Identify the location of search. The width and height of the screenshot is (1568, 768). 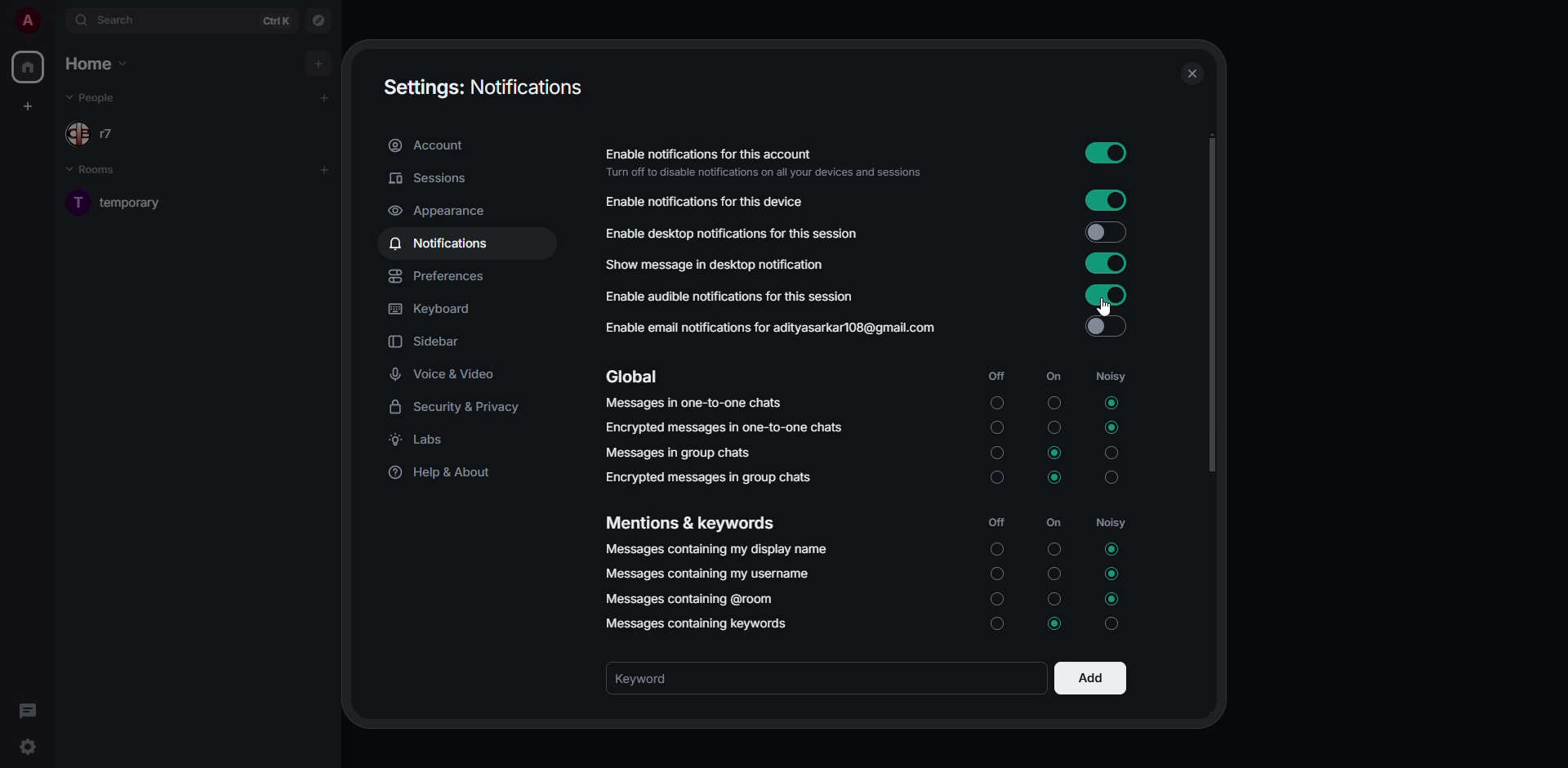
(111, 19).